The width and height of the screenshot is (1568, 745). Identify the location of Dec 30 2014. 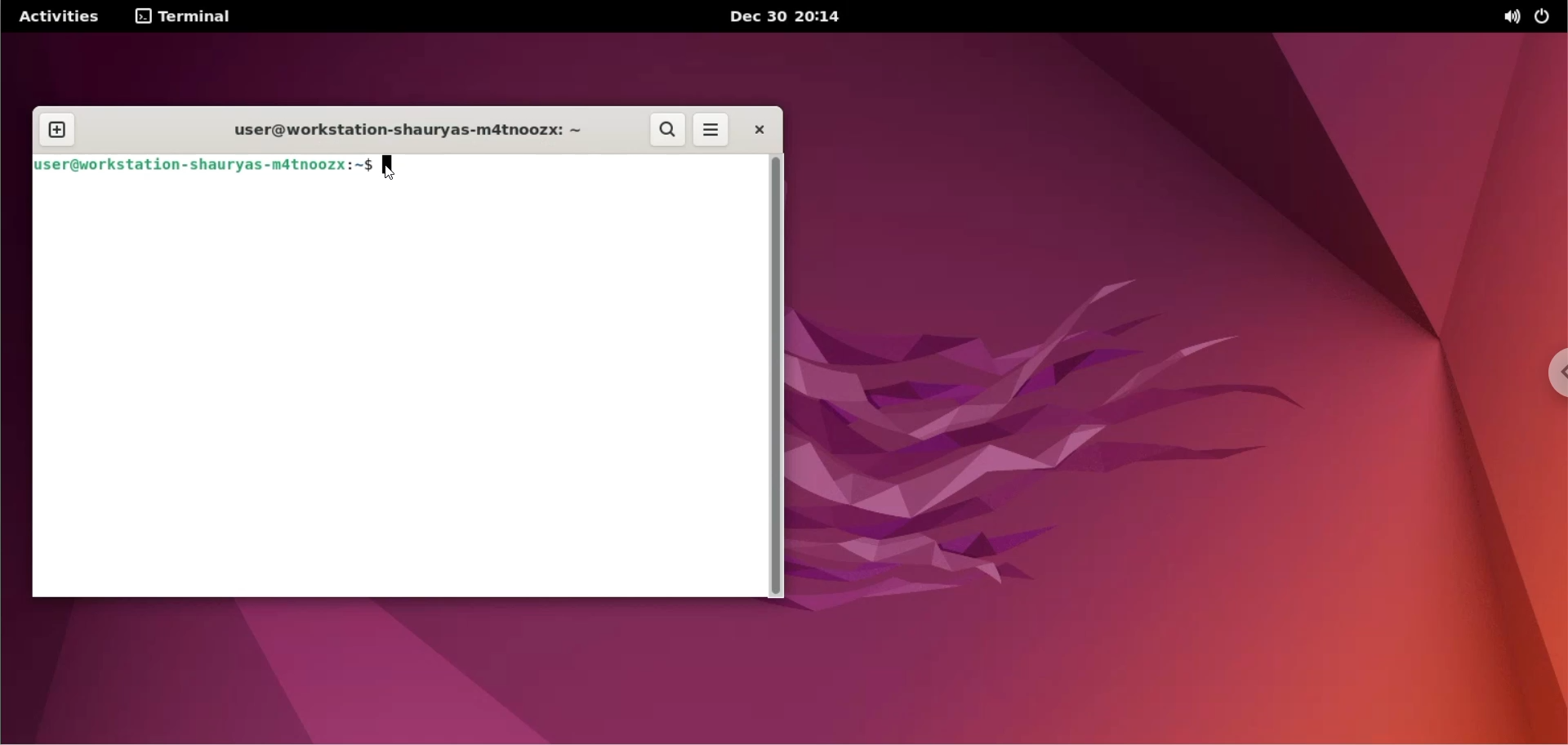
(791, 16).